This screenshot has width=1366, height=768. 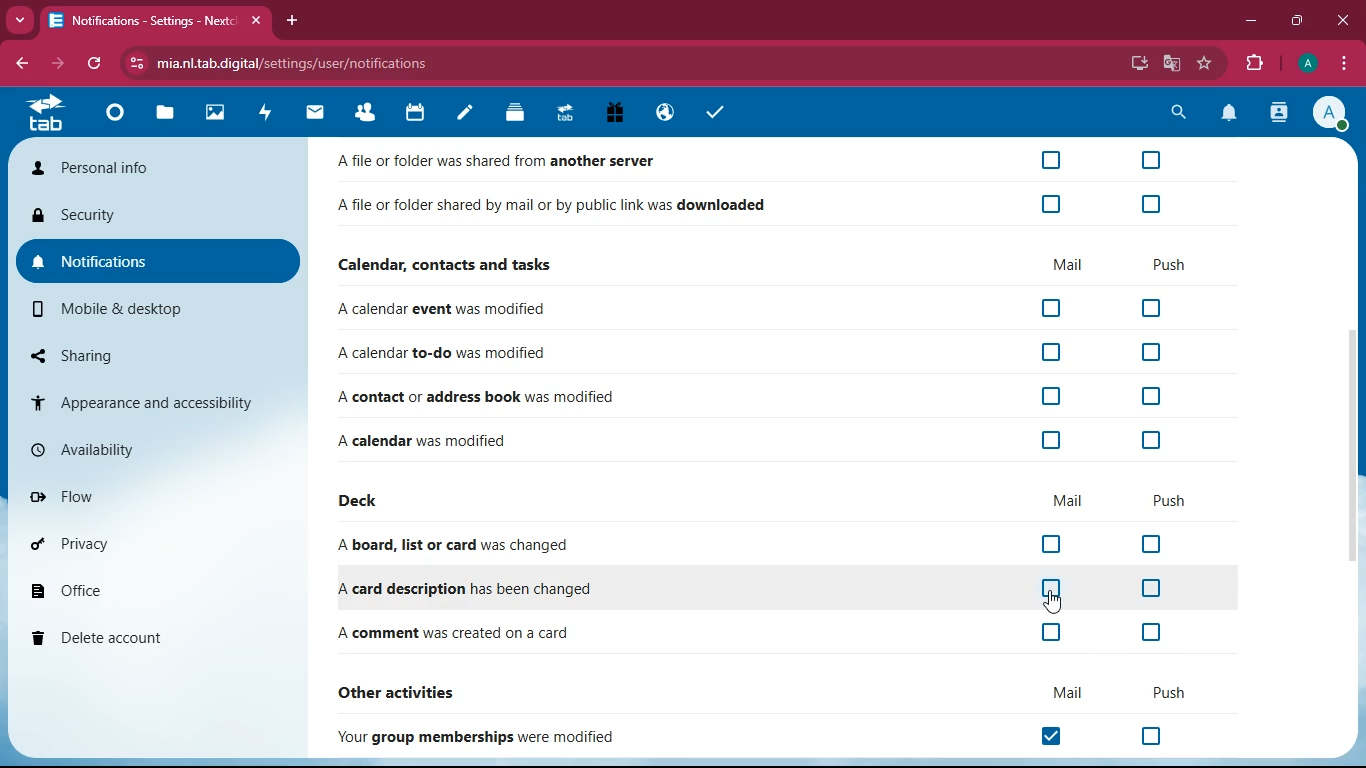 I want to click on personal info, so click(x=153, y=170).